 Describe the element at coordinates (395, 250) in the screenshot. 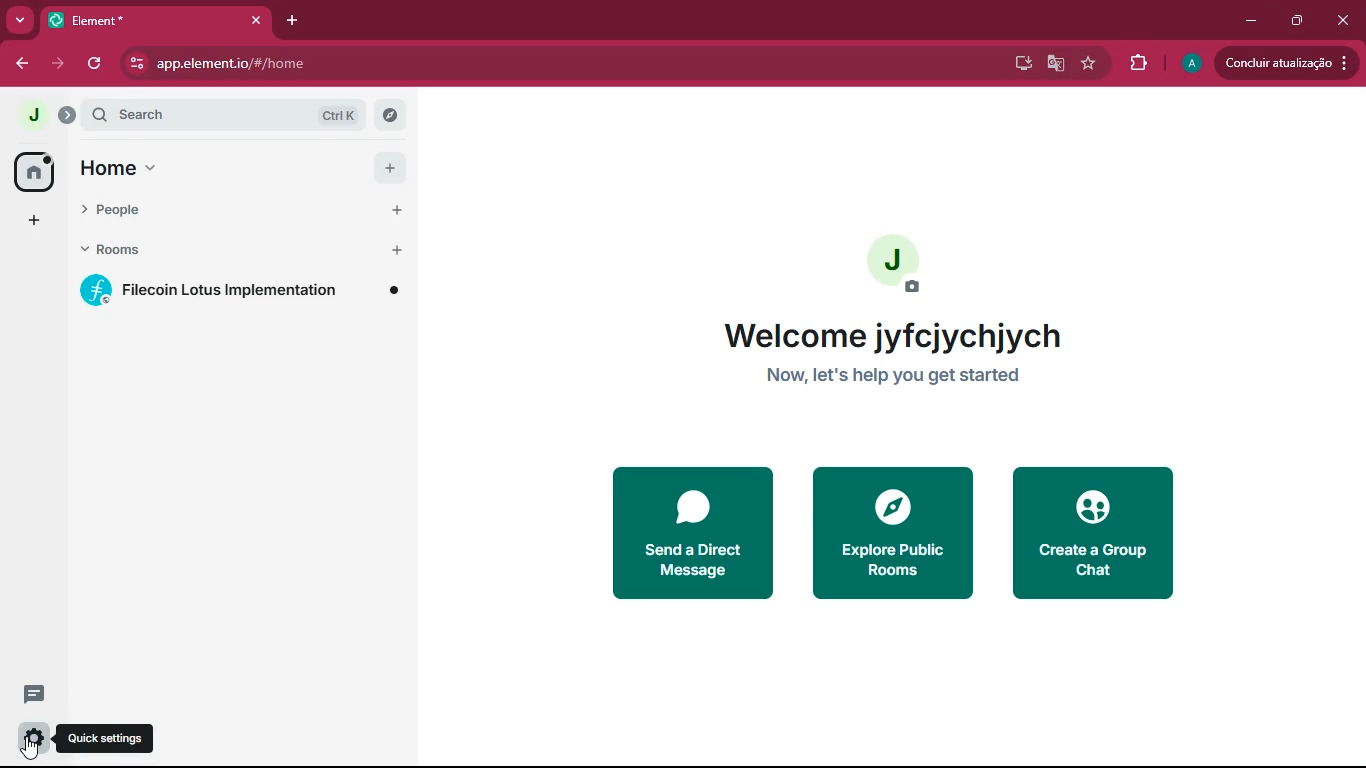

I see `add button` at that location.